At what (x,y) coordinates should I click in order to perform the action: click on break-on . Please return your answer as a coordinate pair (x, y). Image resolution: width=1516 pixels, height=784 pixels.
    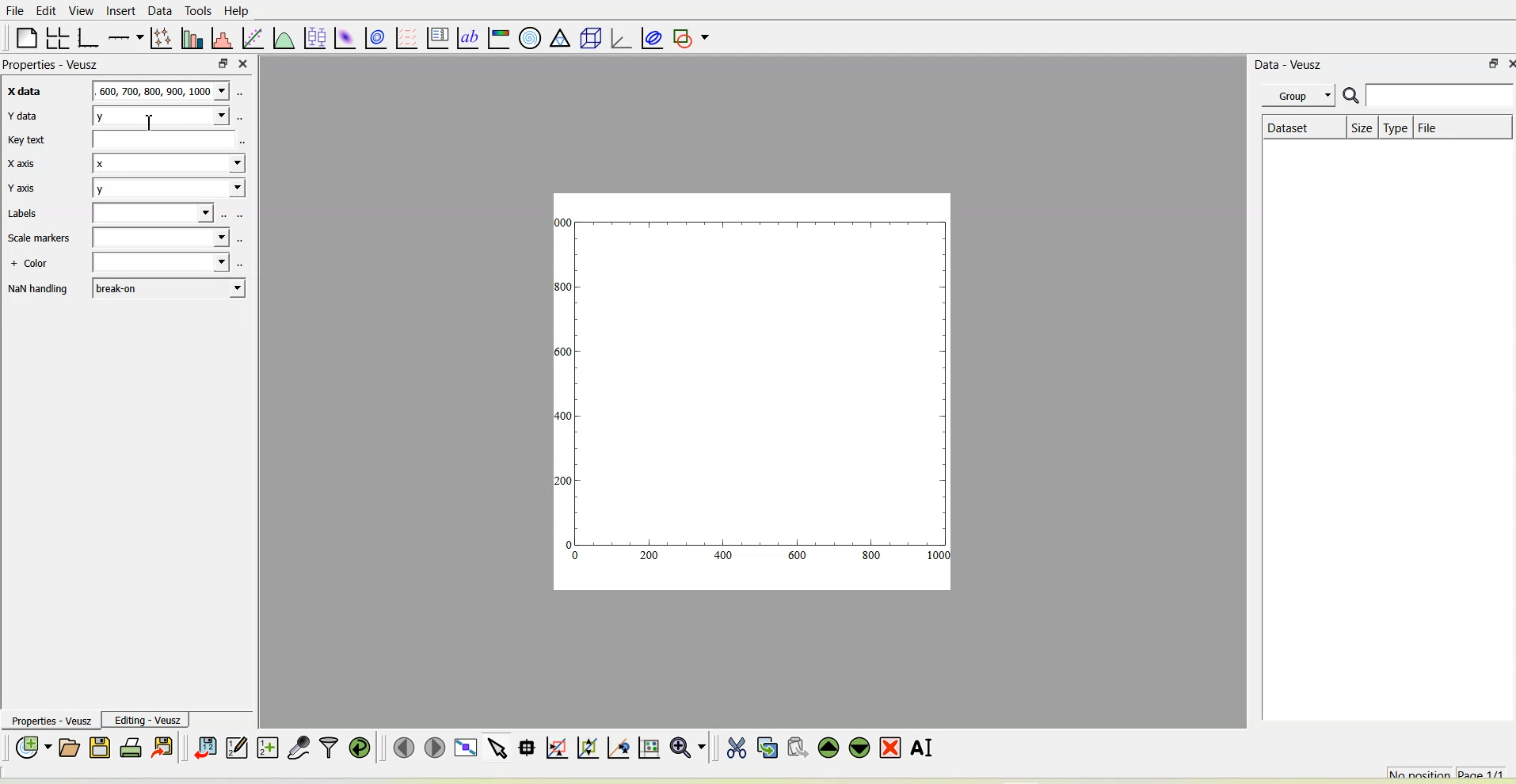
    Looking at the image, I should click on (167, 287).